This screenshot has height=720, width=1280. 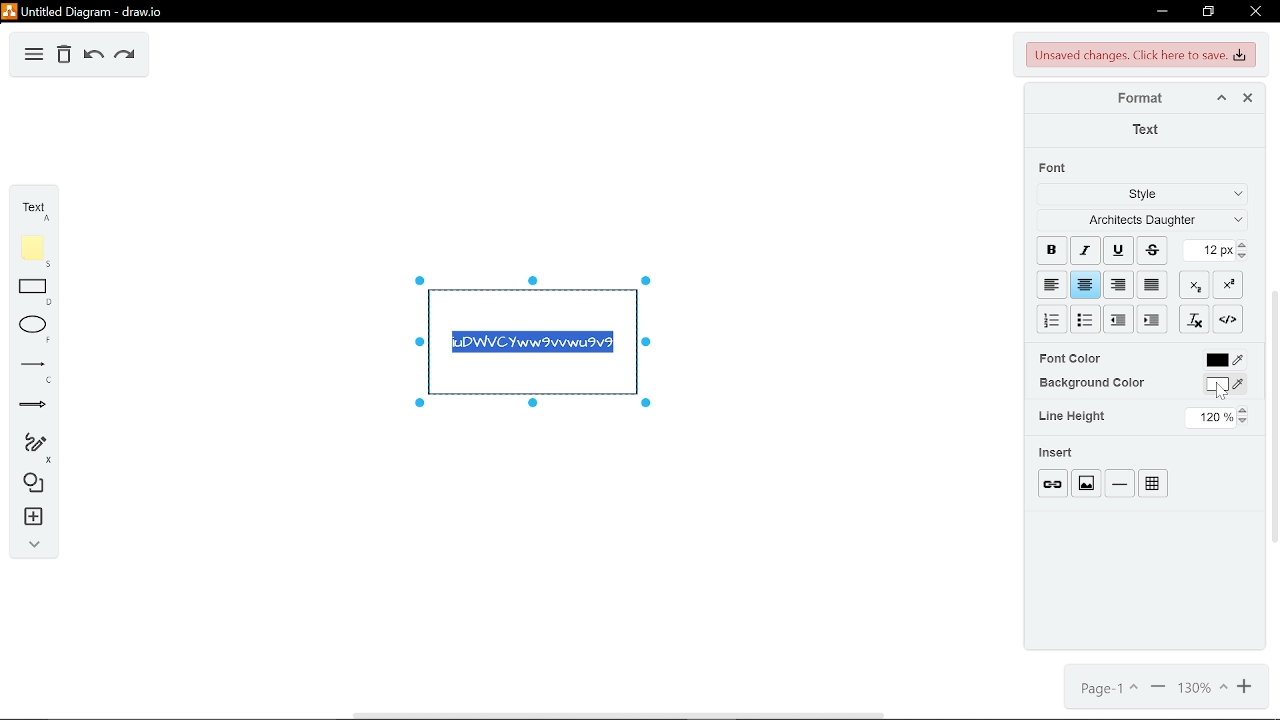 I want to click on subscript, so click(x=1197, y=284).